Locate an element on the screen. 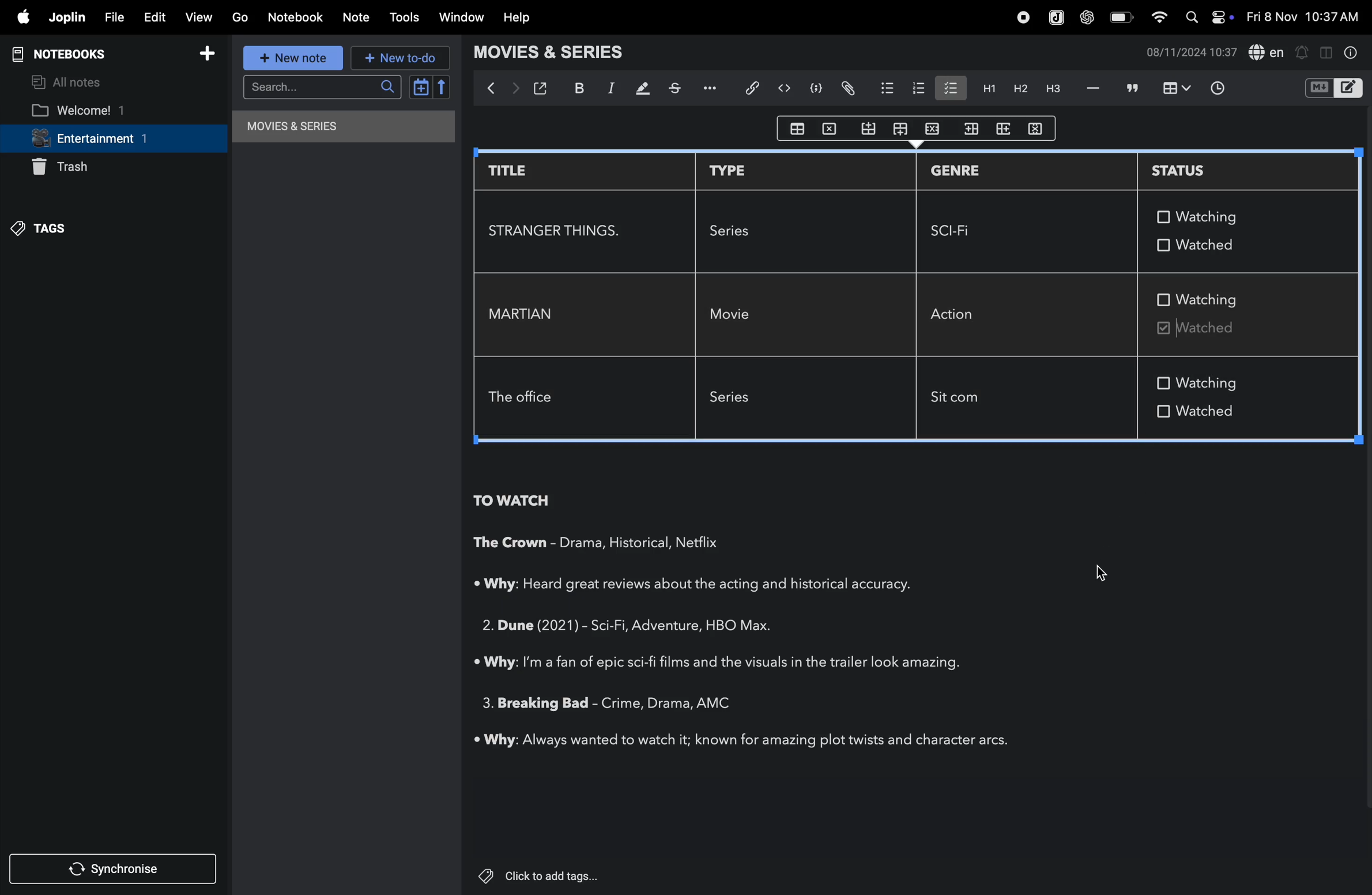 This screenshot has height=895, width=1372. forward is located at coordinates (515, 89).